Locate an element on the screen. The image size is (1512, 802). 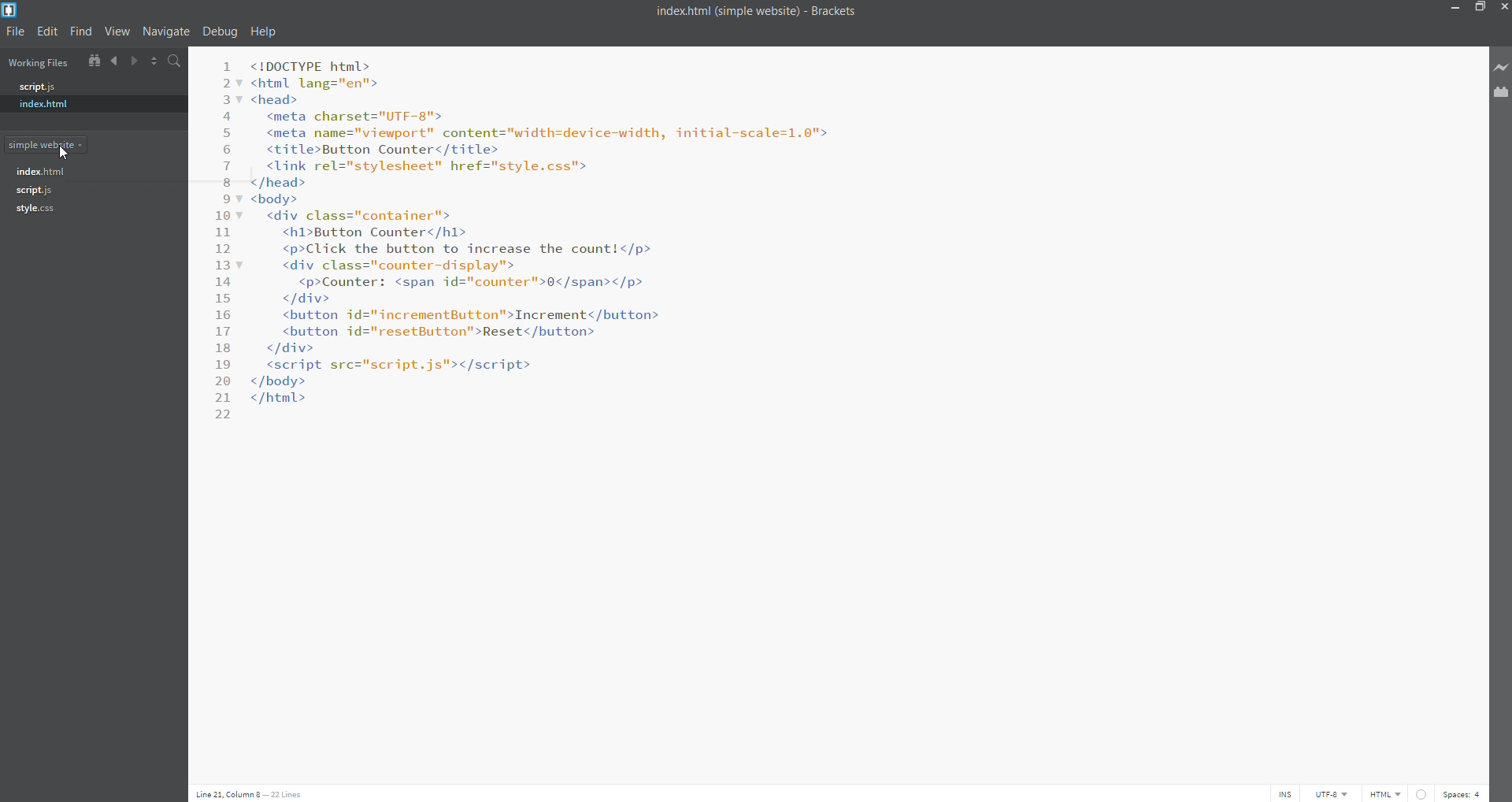
close is located at coordinates (1503, 8).